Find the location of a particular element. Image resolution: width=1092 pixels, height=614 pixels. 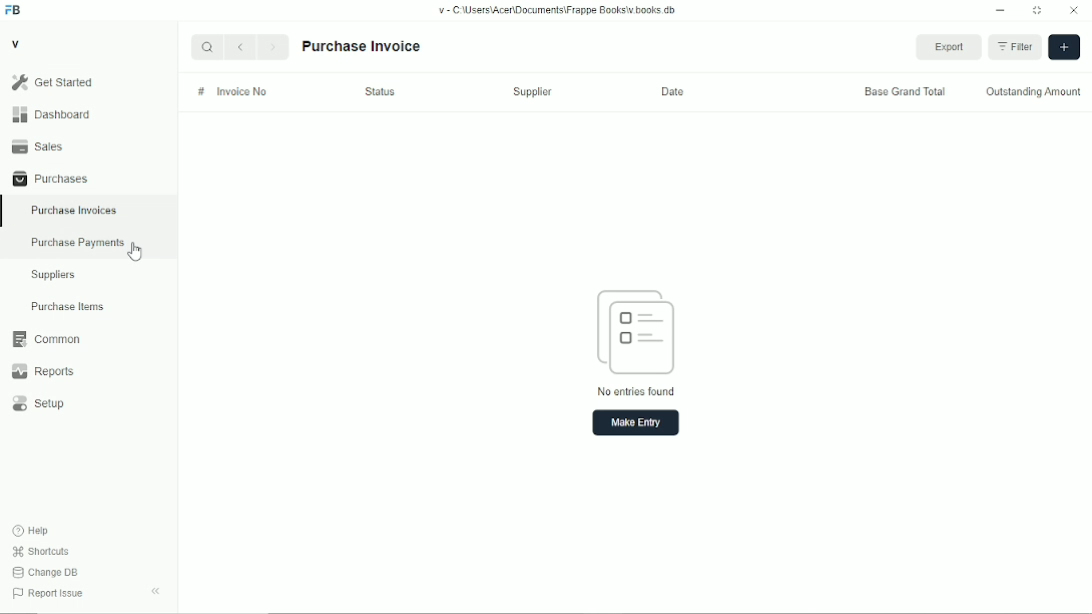

Outstanding Amount is located at coordinates (1033, 92).